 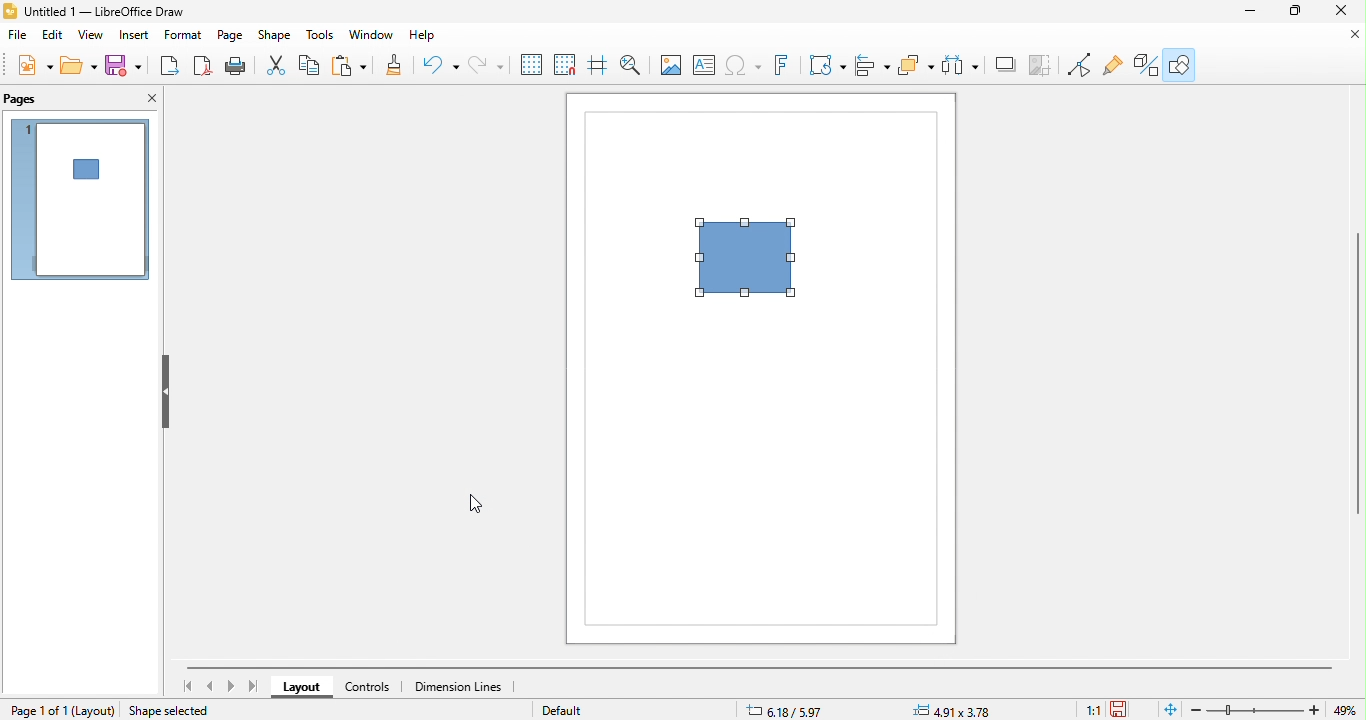 I want to click on next page, so click(x=231, y=686).